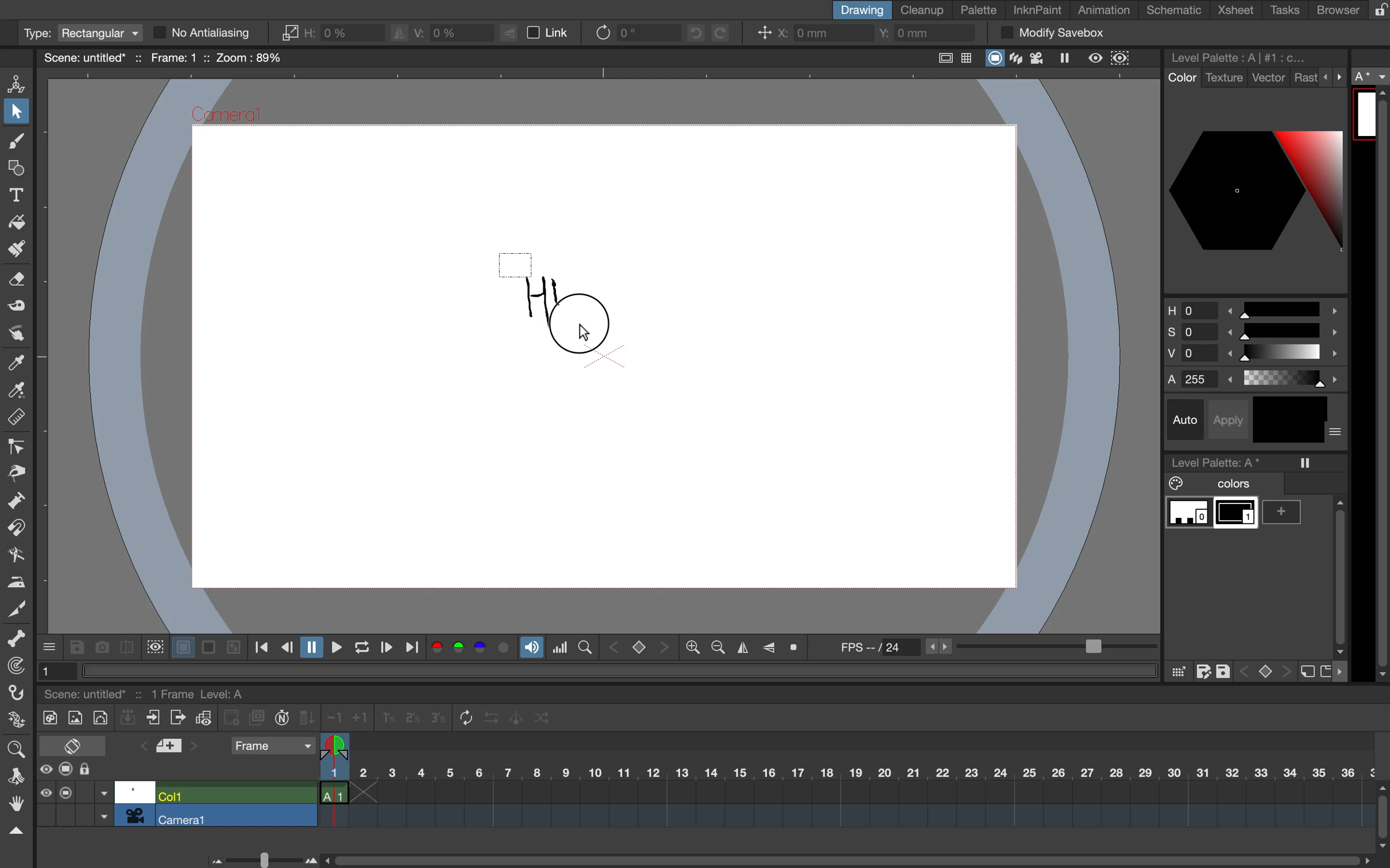 The height and width of the screenshot is (868, 1390). What do you see at coordinates (560, 648) in the screenshot?
I see `histogram` at bounding box center [560, 648].